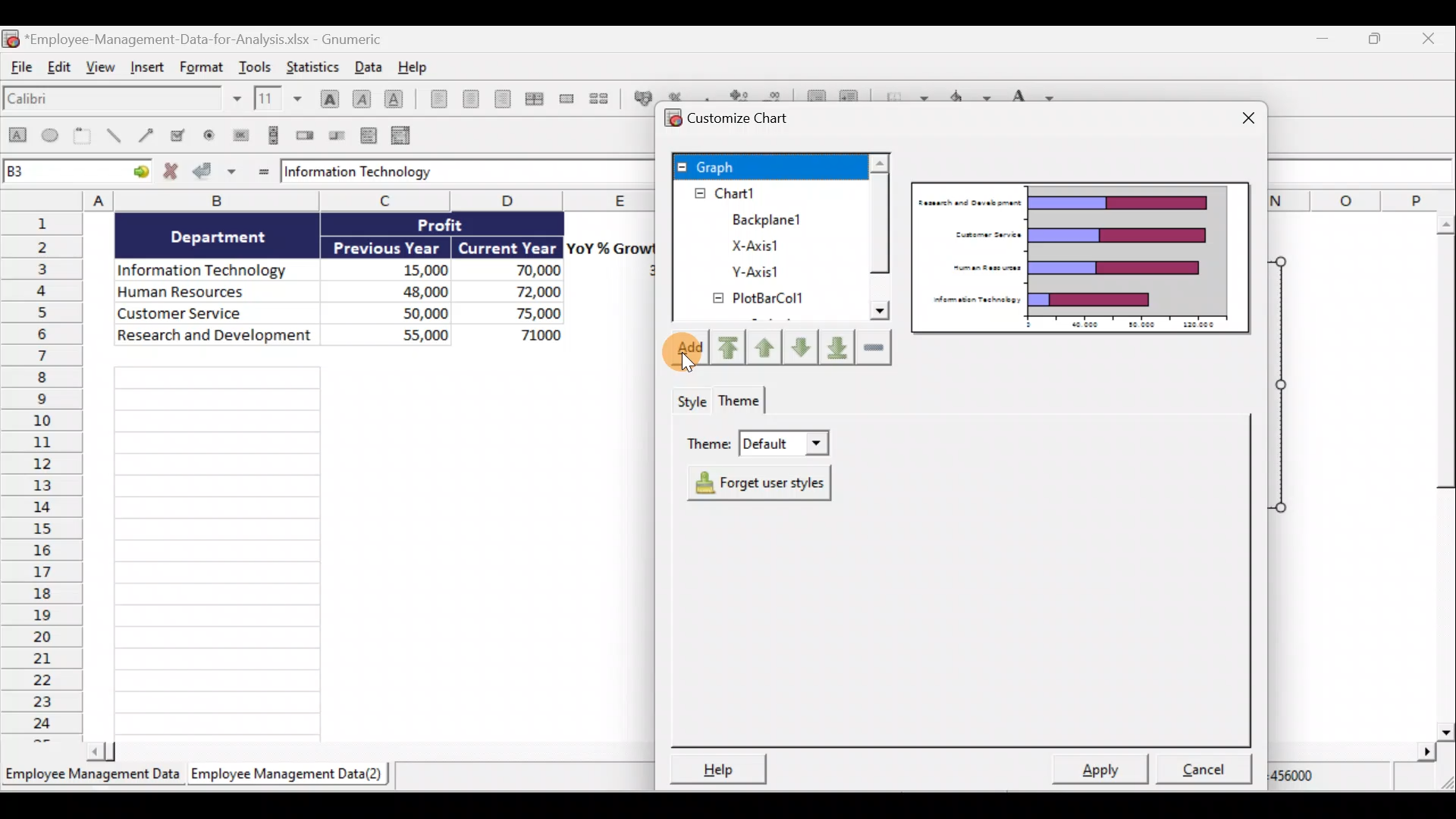  What do you see at coordinates (767, 166) in the screenshot?
I see `Graph` at bounding box center [767, 166].